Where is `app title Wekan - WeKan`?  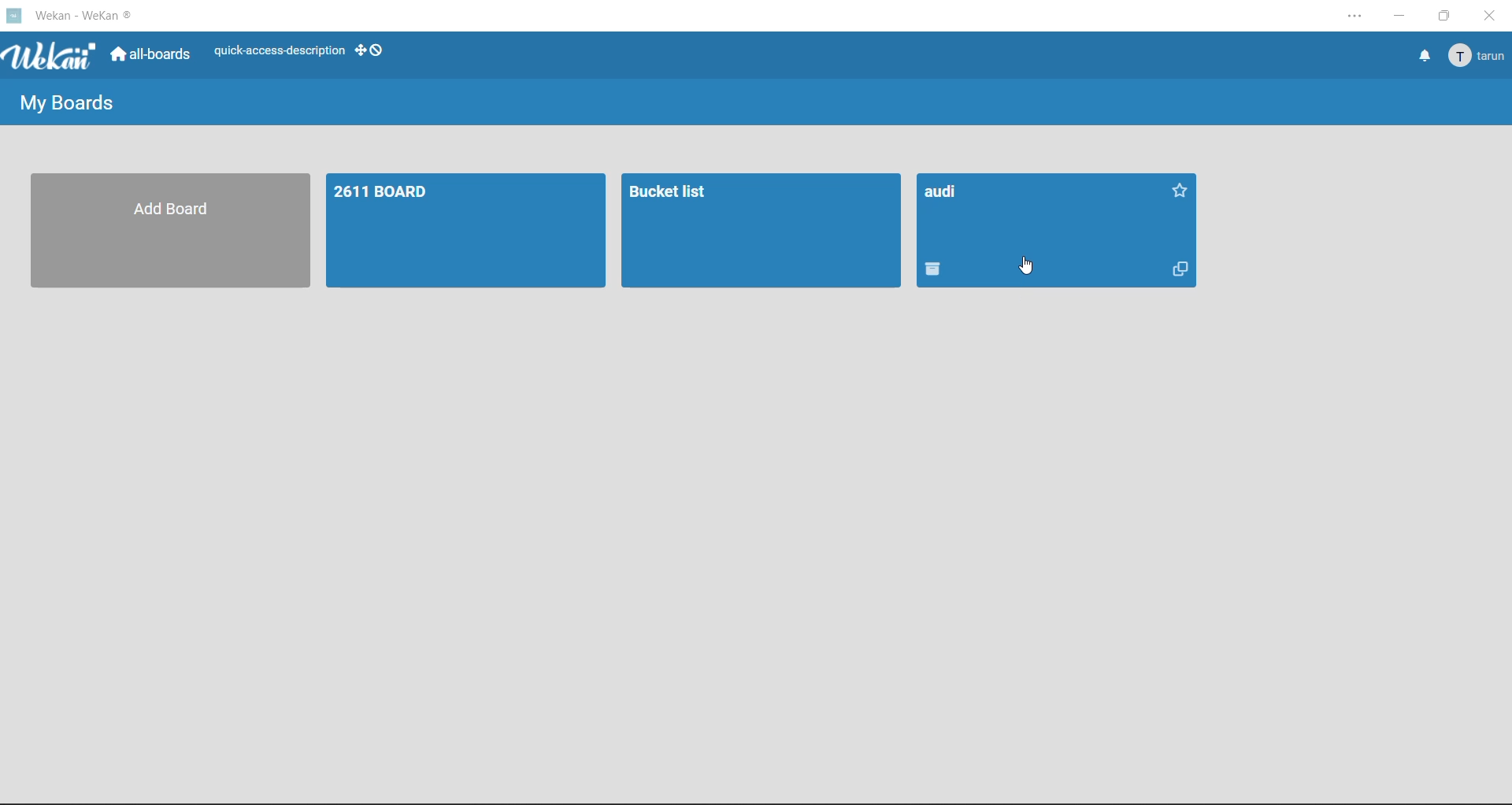 app title Wekan - WeKan is located at coordinates (74, 14).